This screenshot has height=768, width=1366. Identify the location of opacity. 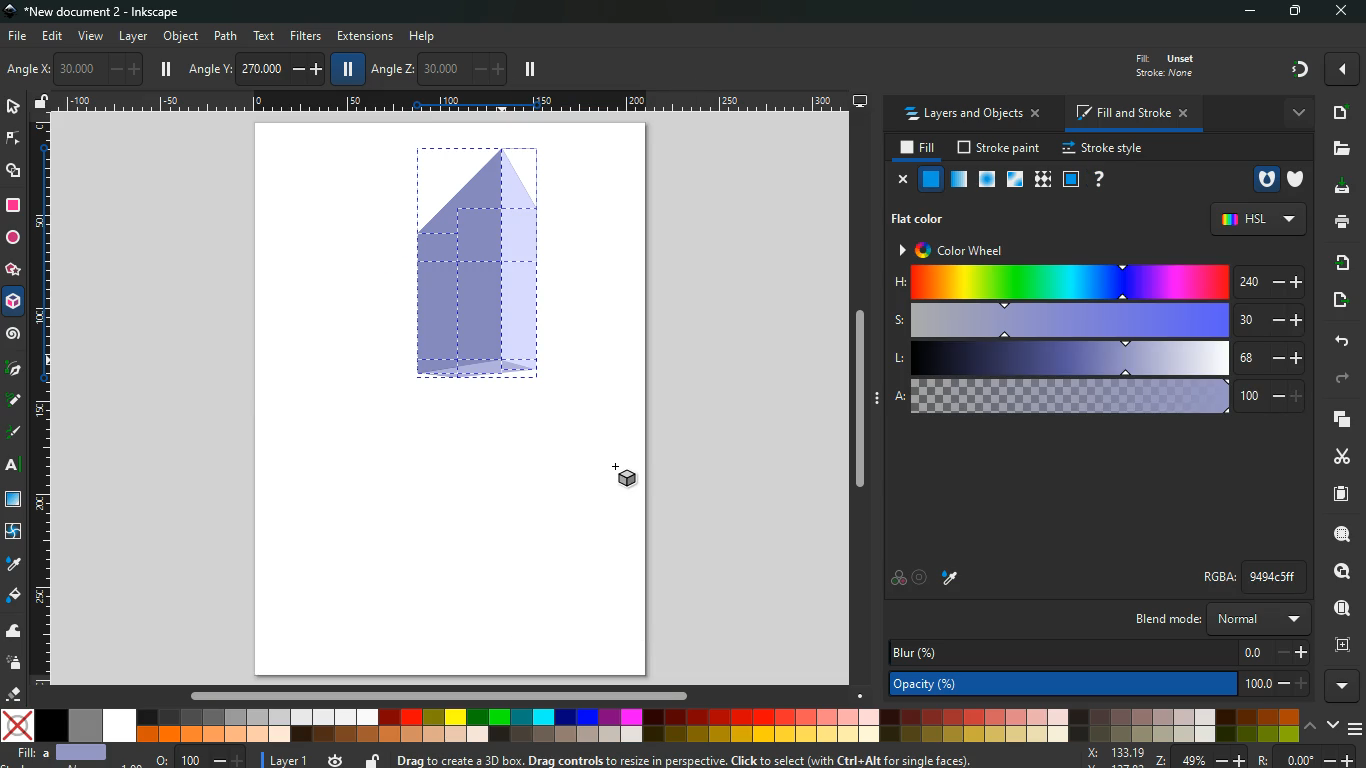
(1103, 686).